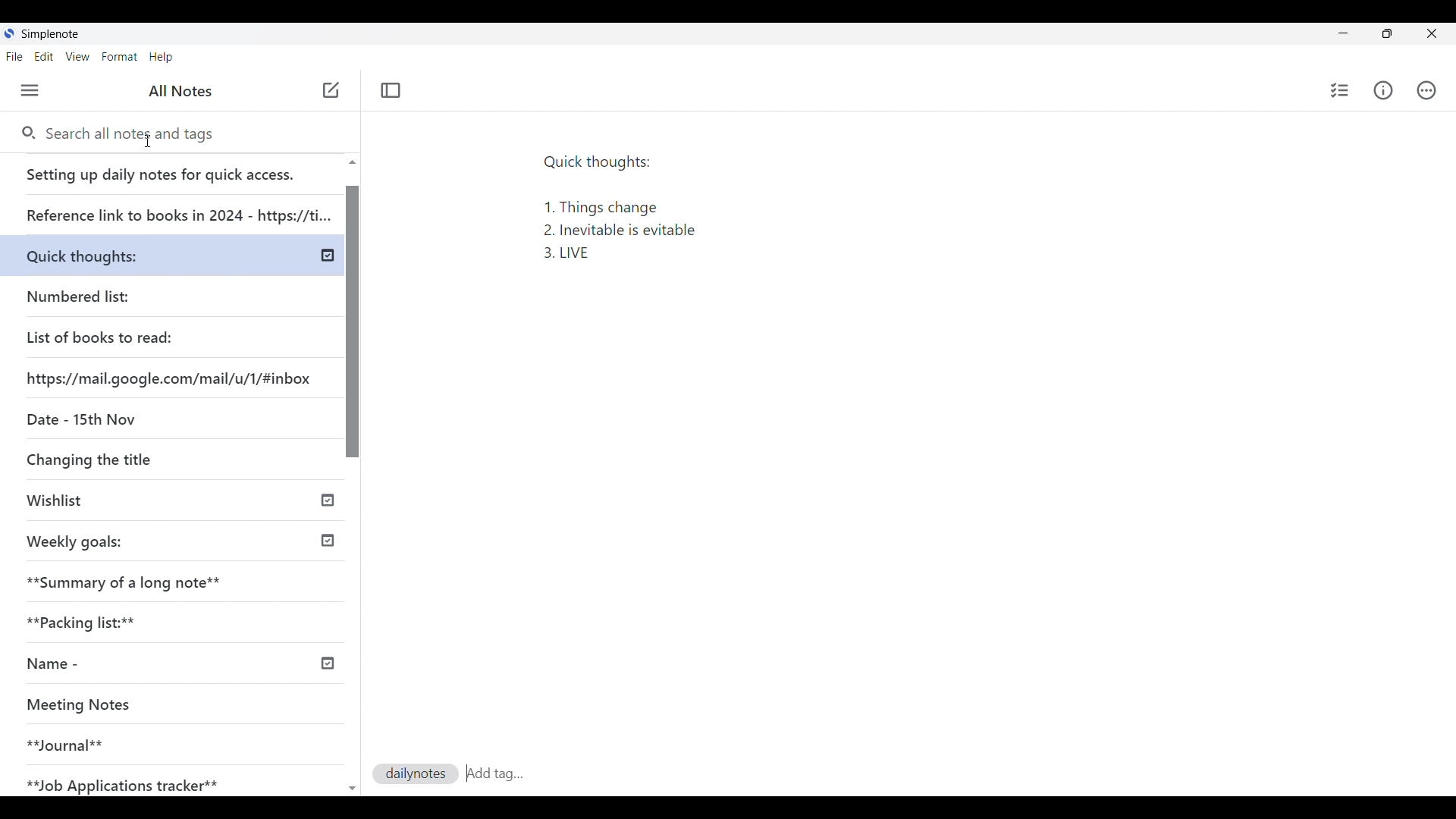 The image size is (1456, 819). Describe the element at coordinates (171, 377) in the screenshot. I see `https://mail.google.com/mail/u/1/#inbox` at that location.